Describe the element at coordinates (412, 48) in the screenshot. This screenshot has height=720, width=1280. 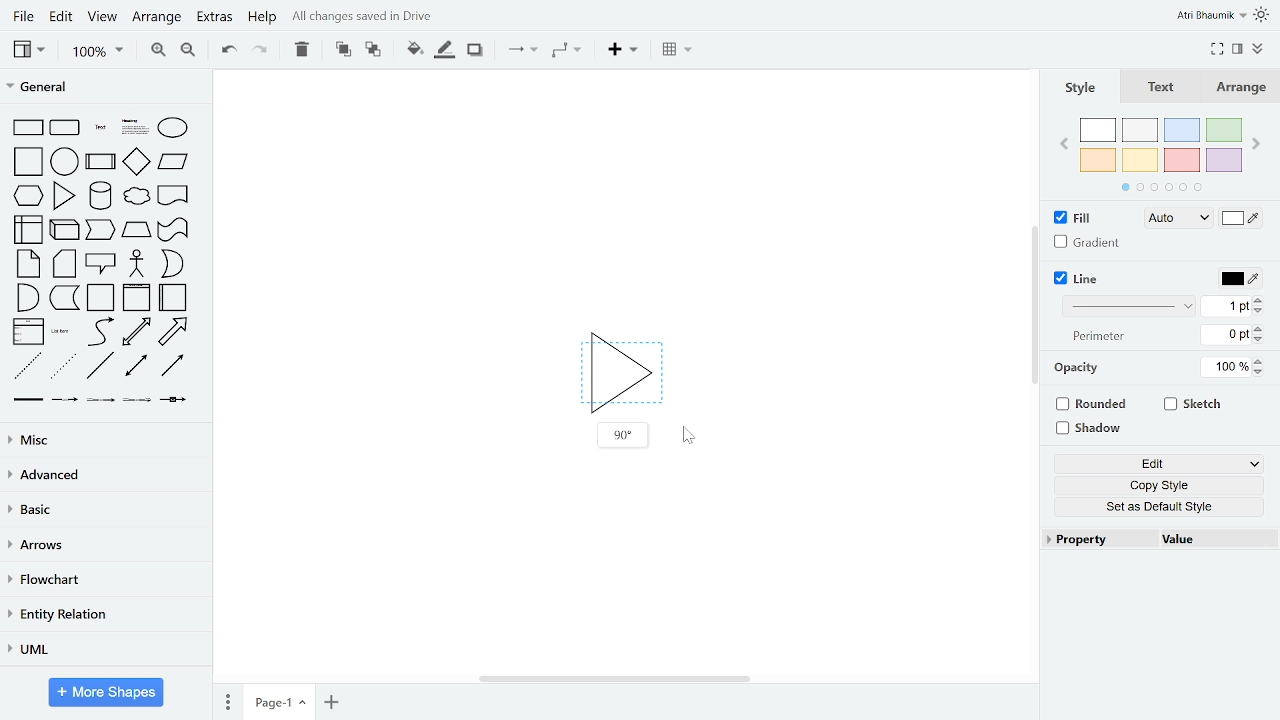
I see `fill color` at that location.